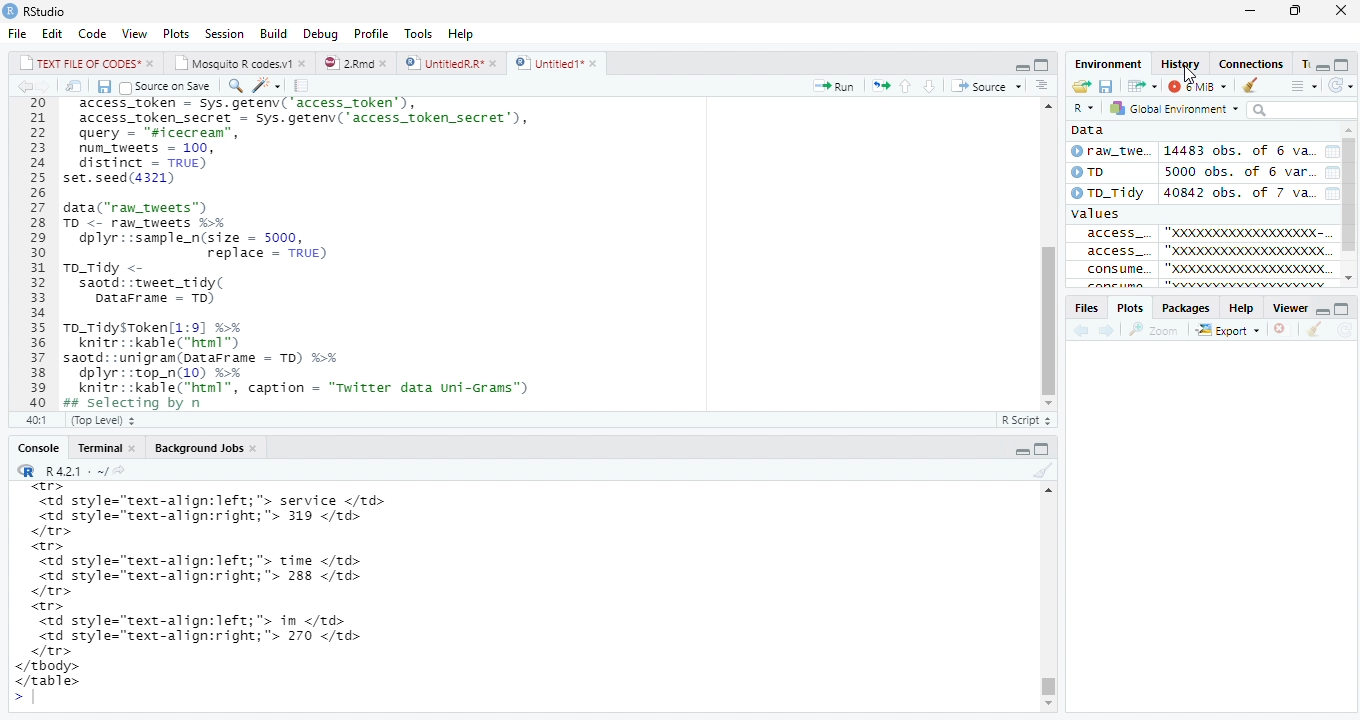 The height and width of the screenshot is (720, 1360). What do you see at coordinates (102, 86) in the screenshot?
I see `Save document` at bounding box center [102, 86].